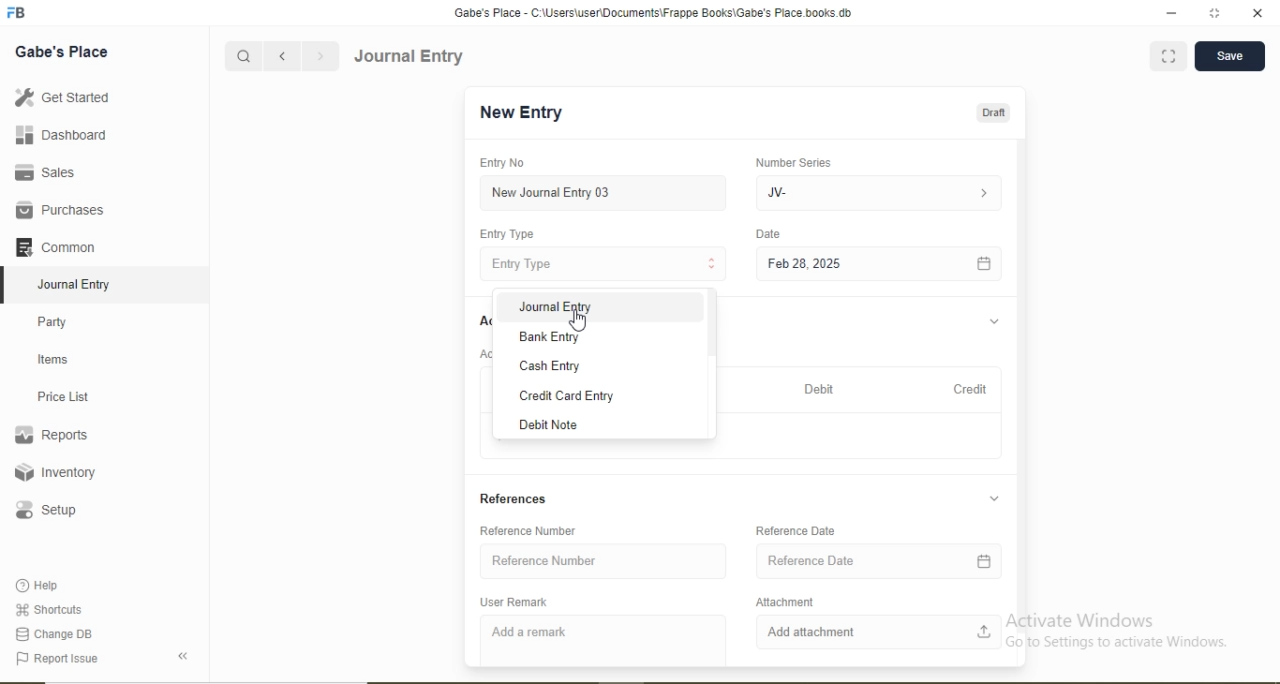  Describe the element at coordinates (59, 210) in the screenshot. I see `Purchases` at that location.